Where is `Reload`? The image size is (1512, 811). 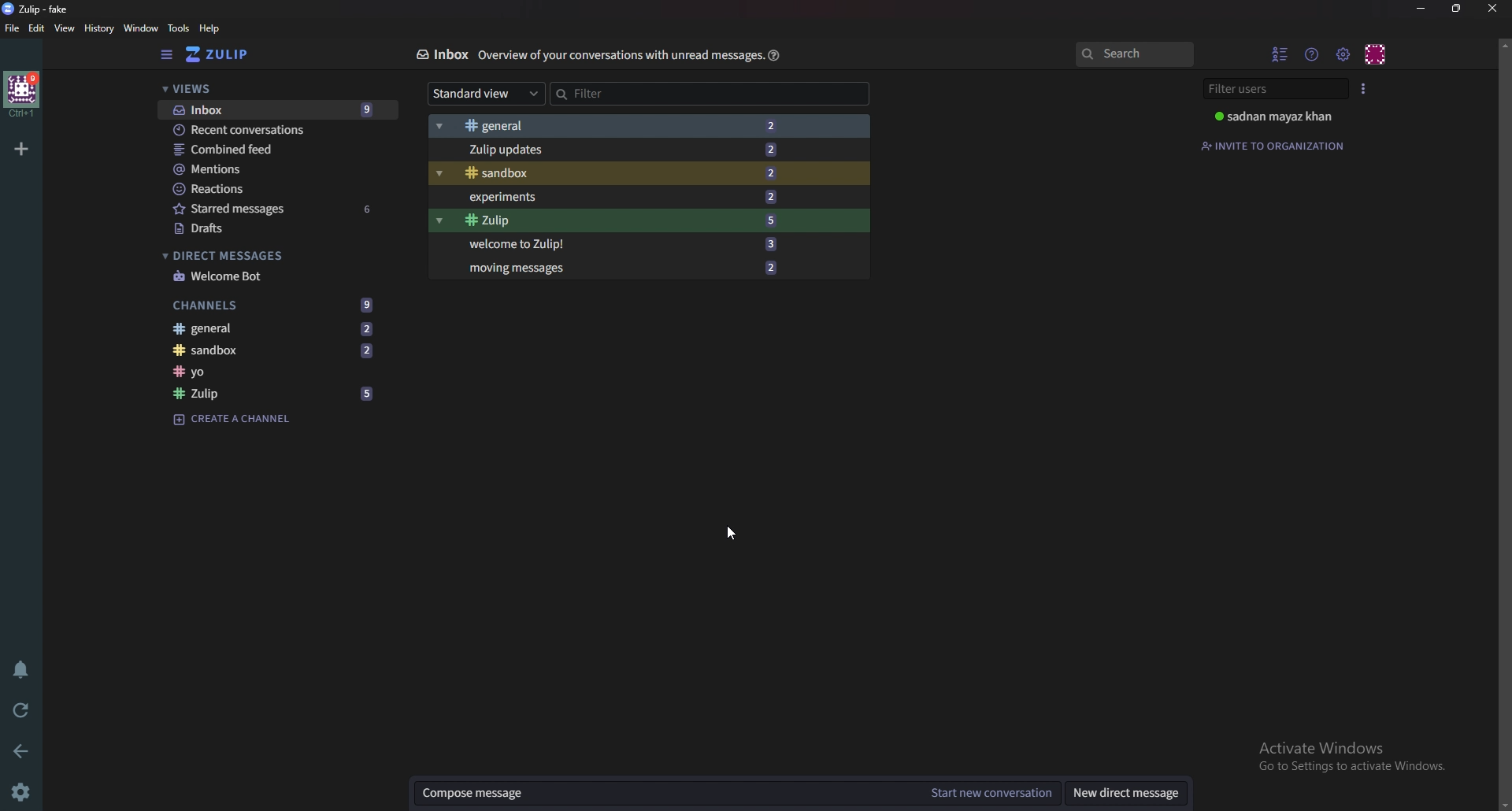
Reload is located at coordinates (20, 709).